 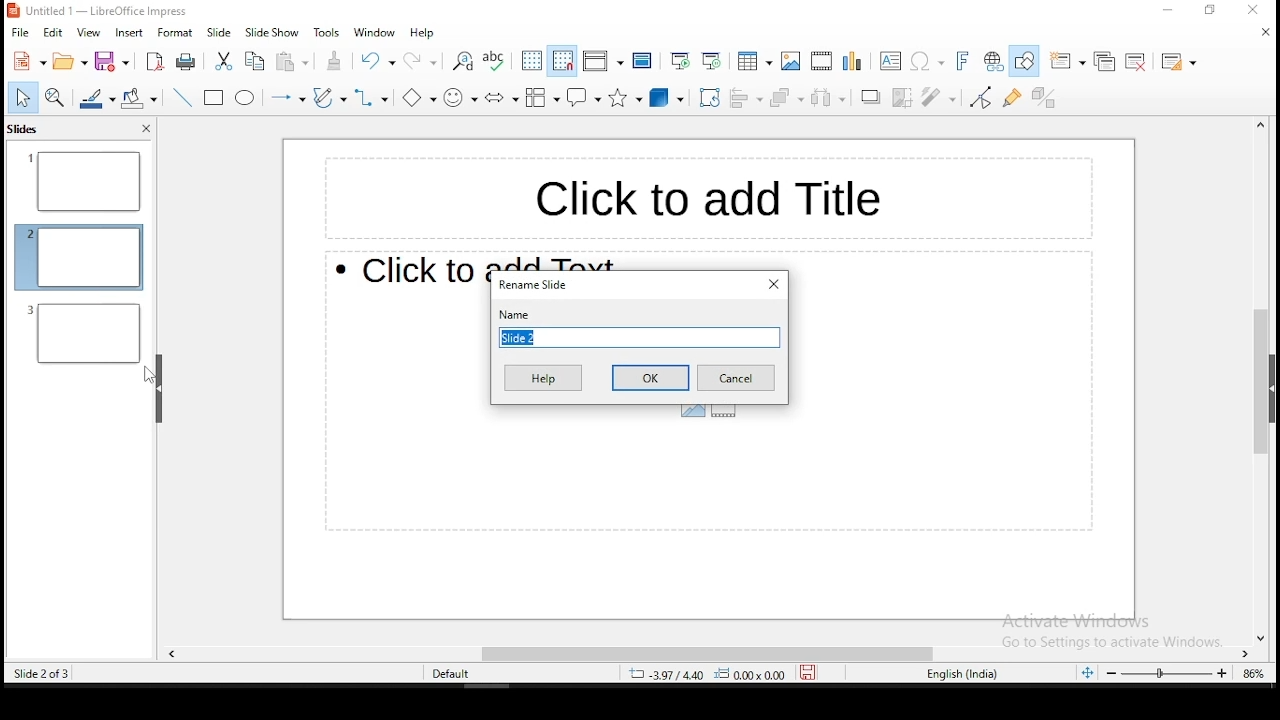 I want to click on spell check, so click(x=494, y=62).